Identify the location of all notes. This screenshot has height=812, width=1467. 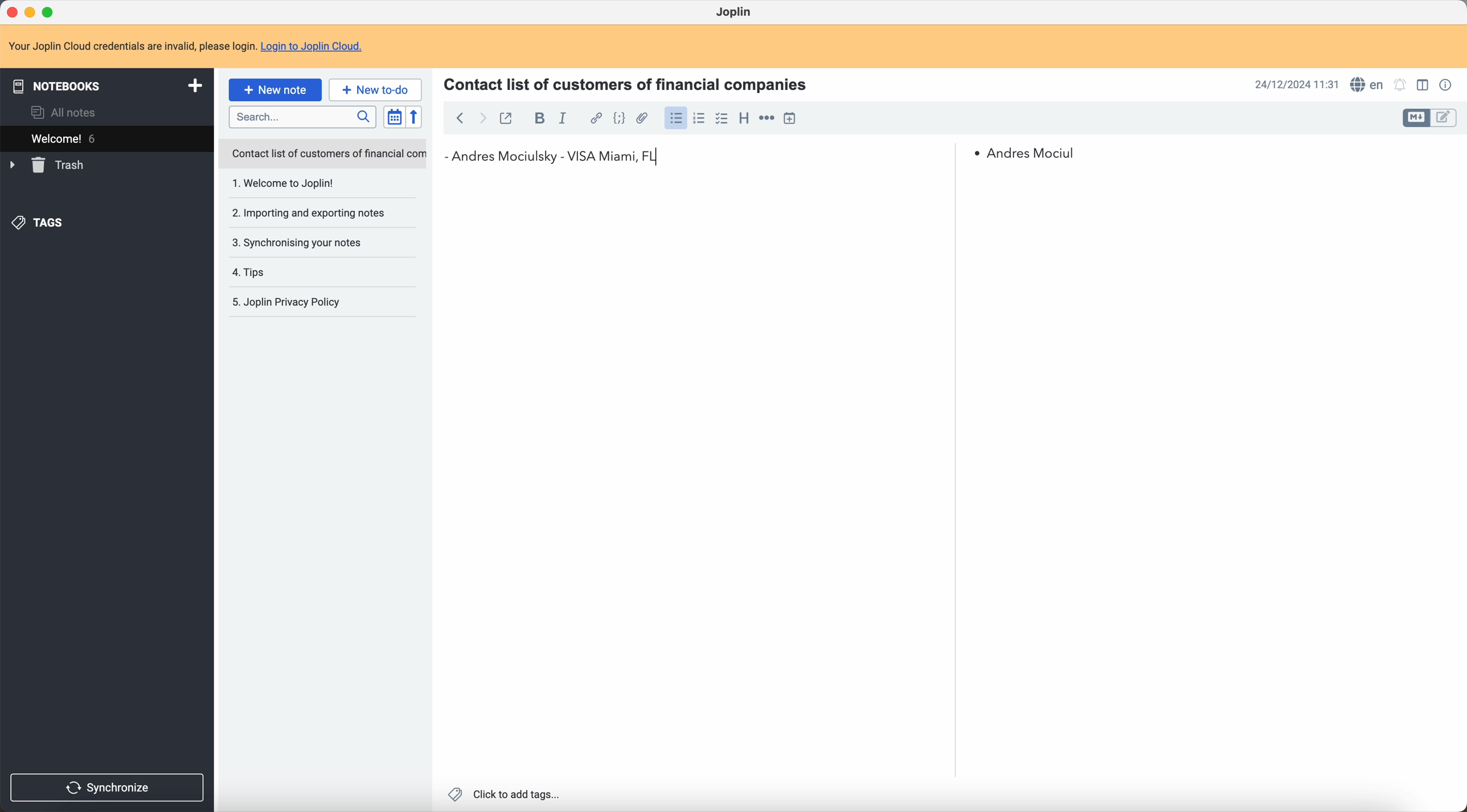
(64, 111).